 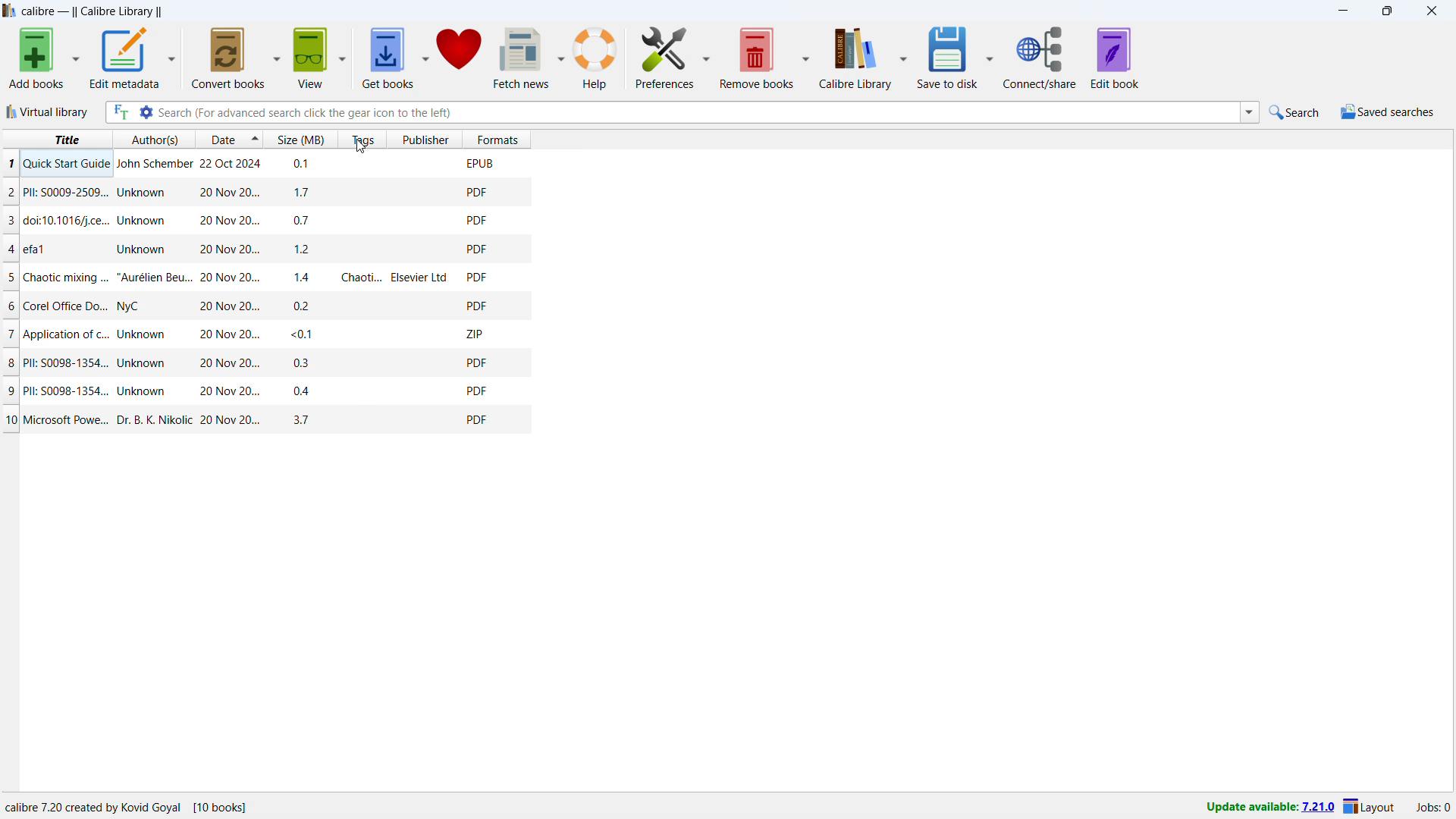 What do you see at coordinates (1385, 11) in the screenshot?
I see `maximize` at bounding box center [1385, 11].